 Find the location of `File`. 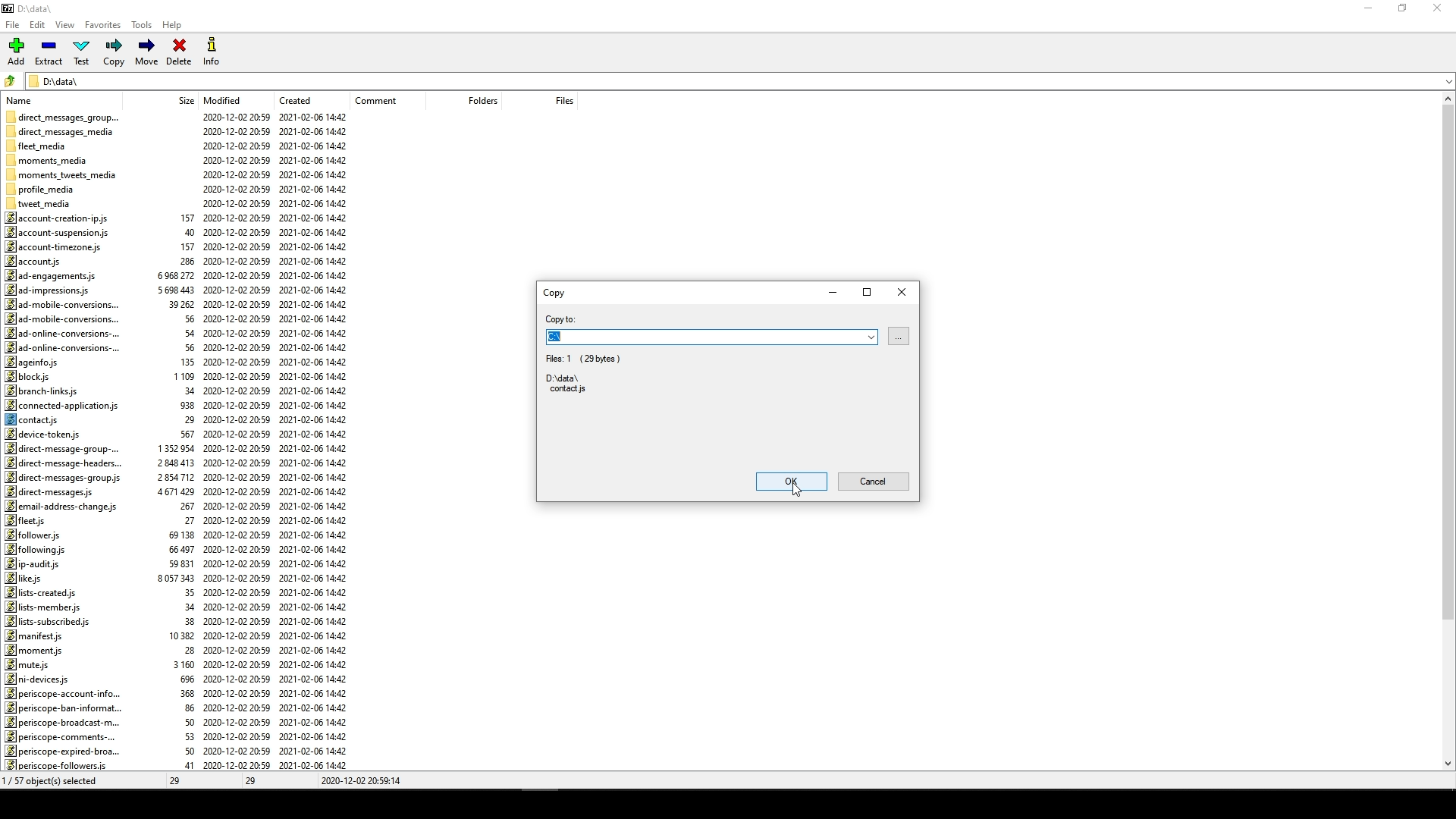

File is located at coordinates (15, 22).